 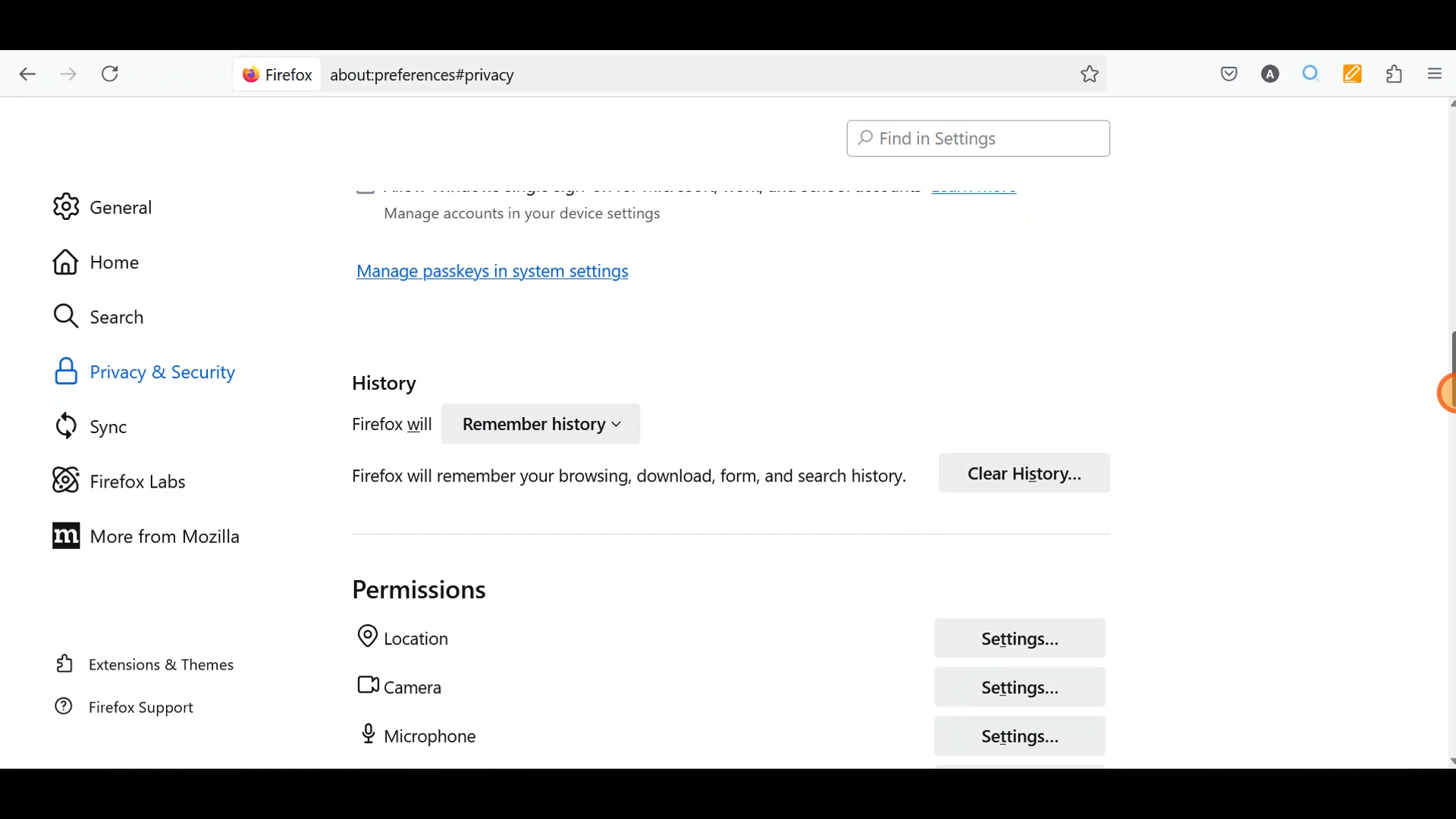 I want to click on Sync, so click(x=113, y=425).